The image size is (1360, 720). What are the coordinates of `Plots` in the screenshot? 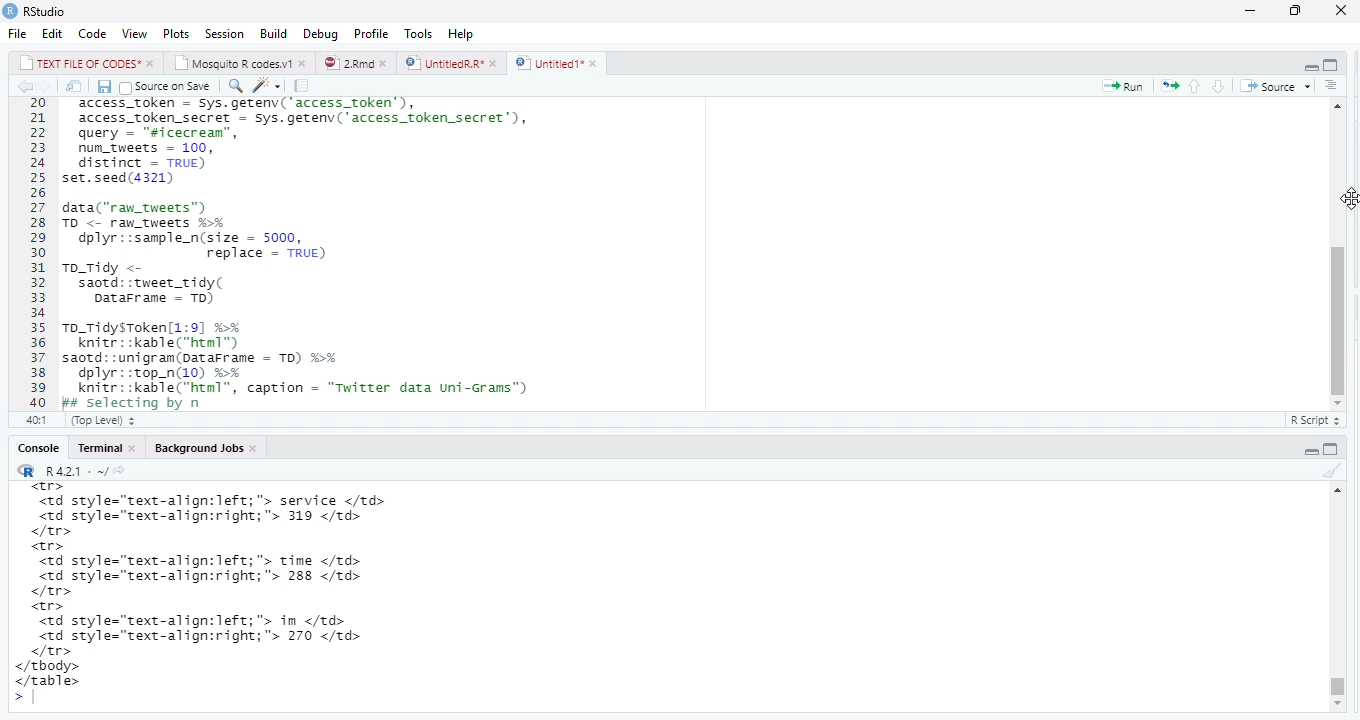 It's located at (176, 32).